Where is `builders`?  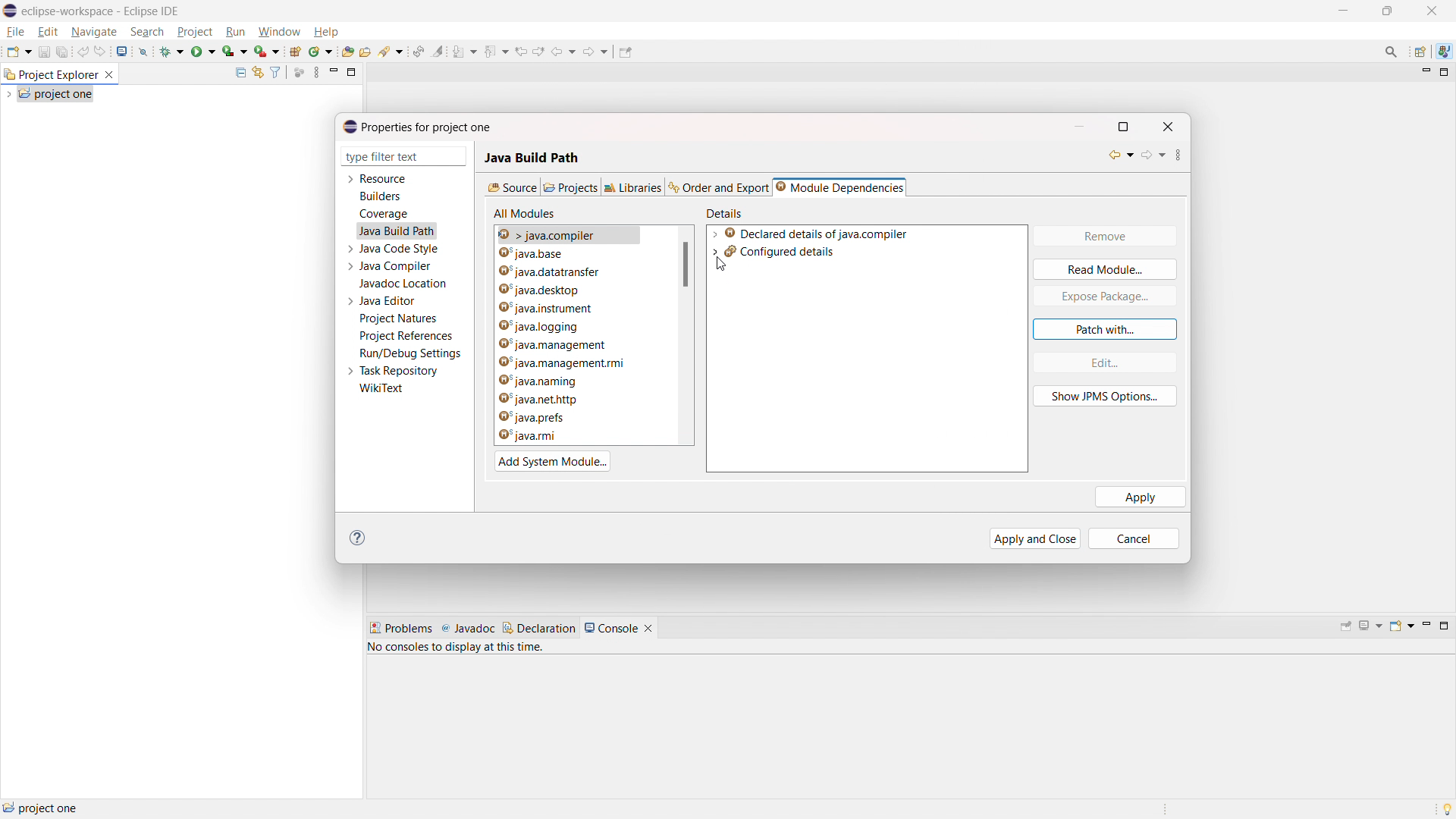
builders is located at coordinates (380, 196).